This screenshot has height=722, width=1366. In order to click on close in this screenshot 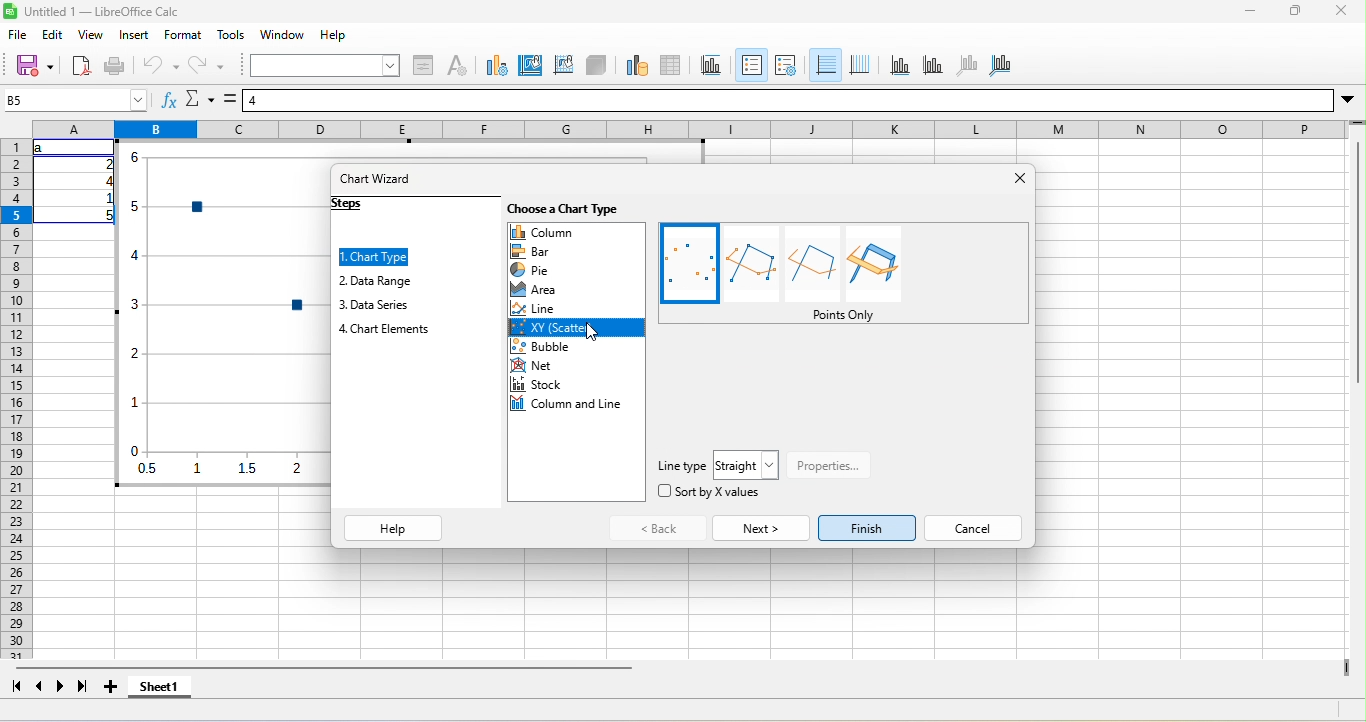, I will do `click(1021, 178)`.